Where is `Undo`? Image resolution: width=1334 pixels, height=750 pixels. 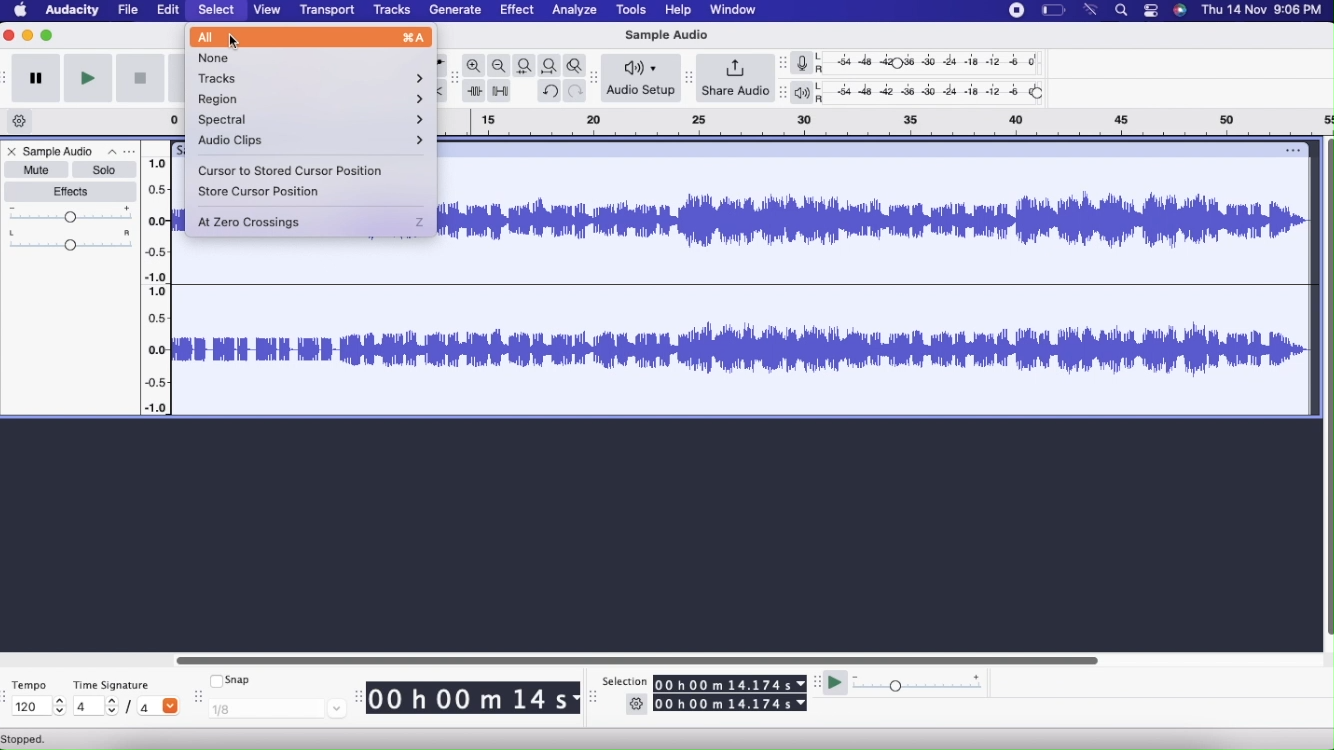
Undo is located at coordinates (551, 90).